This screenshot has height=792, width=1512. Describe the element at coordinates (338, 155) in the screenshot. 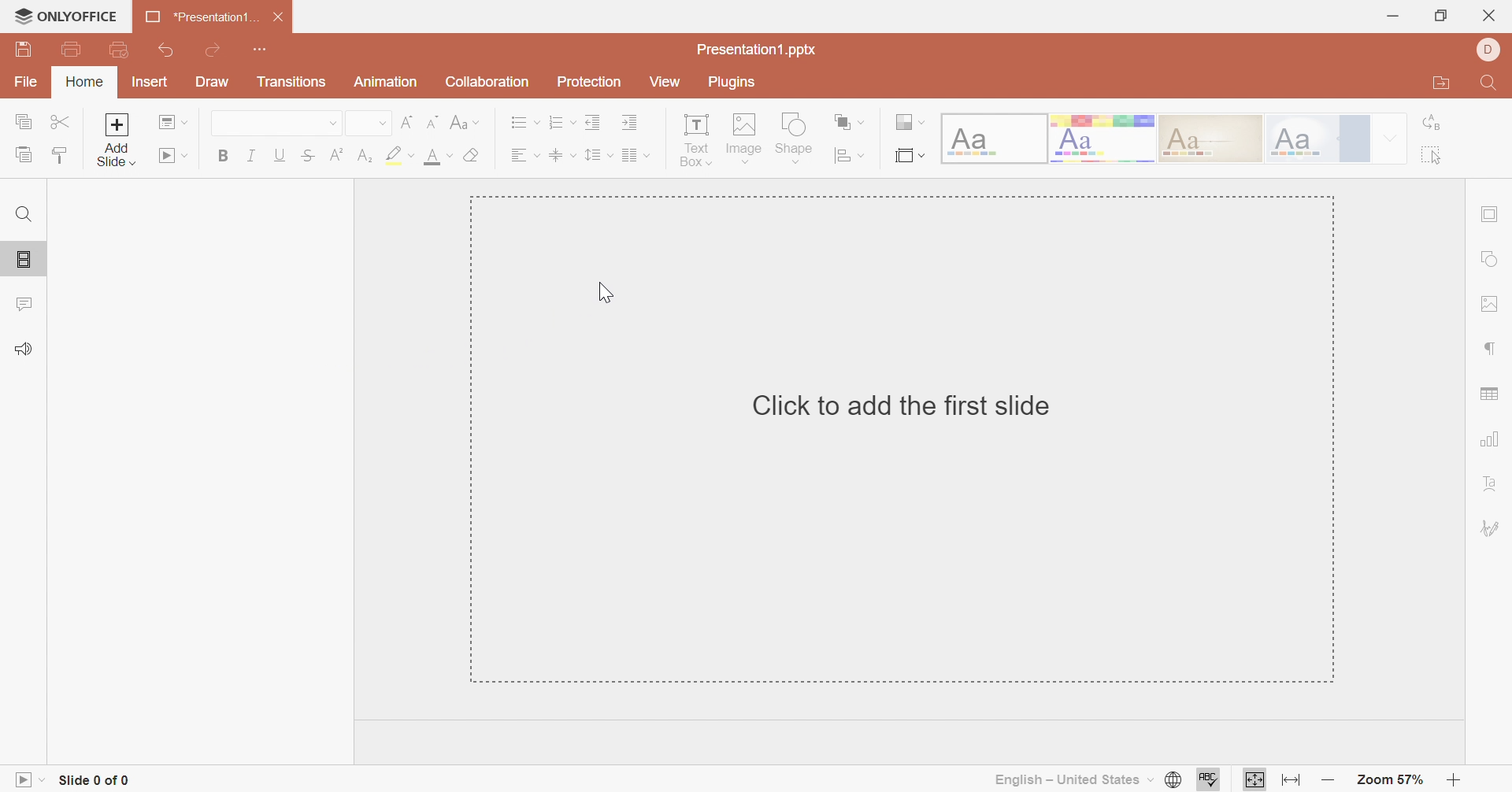

I see `Superscript` at that location.